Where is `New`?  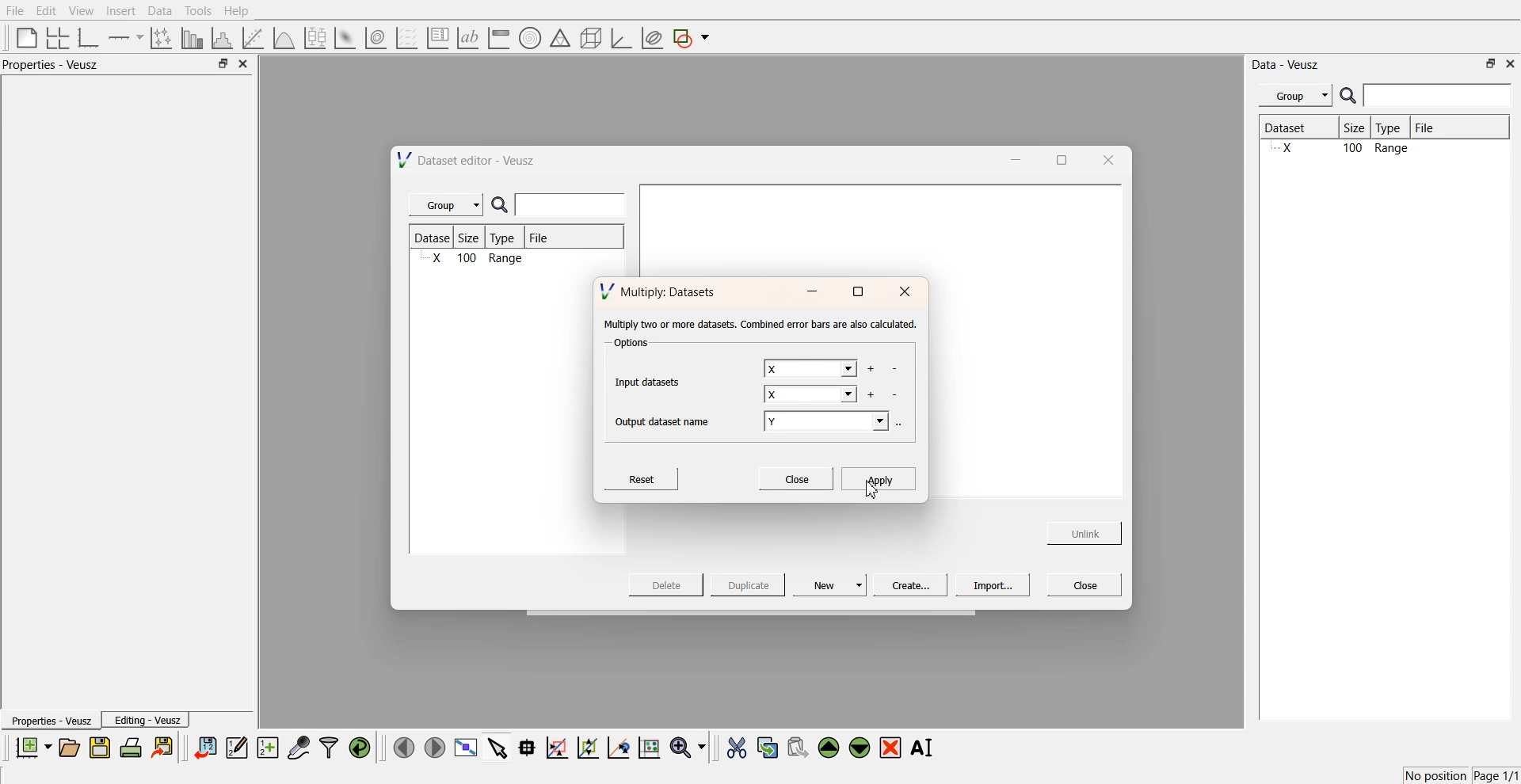 New is located at coordinates (832, 584).